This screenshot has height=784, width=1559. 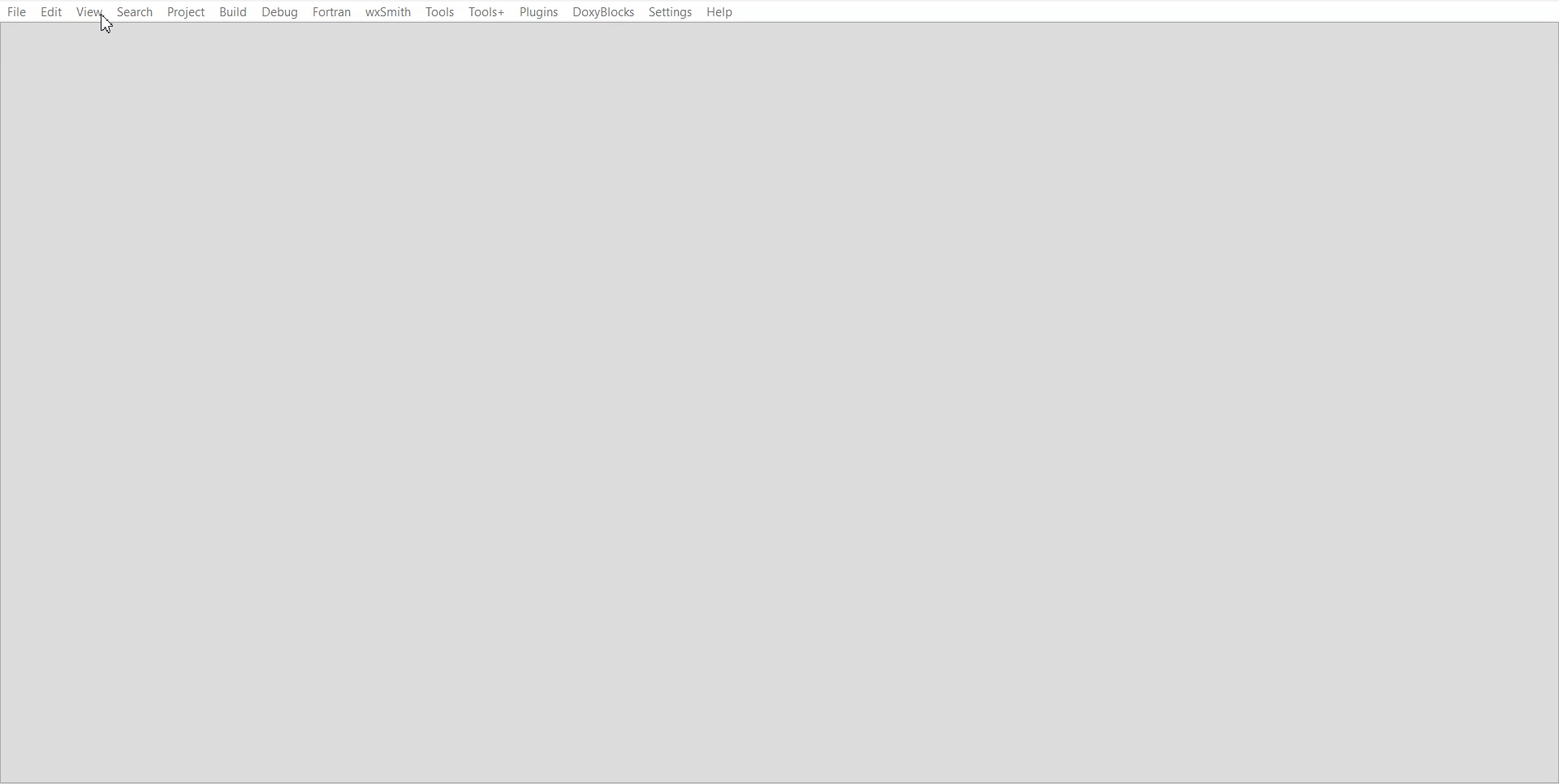 I want to click on Edit, so click(x=52, y=12).